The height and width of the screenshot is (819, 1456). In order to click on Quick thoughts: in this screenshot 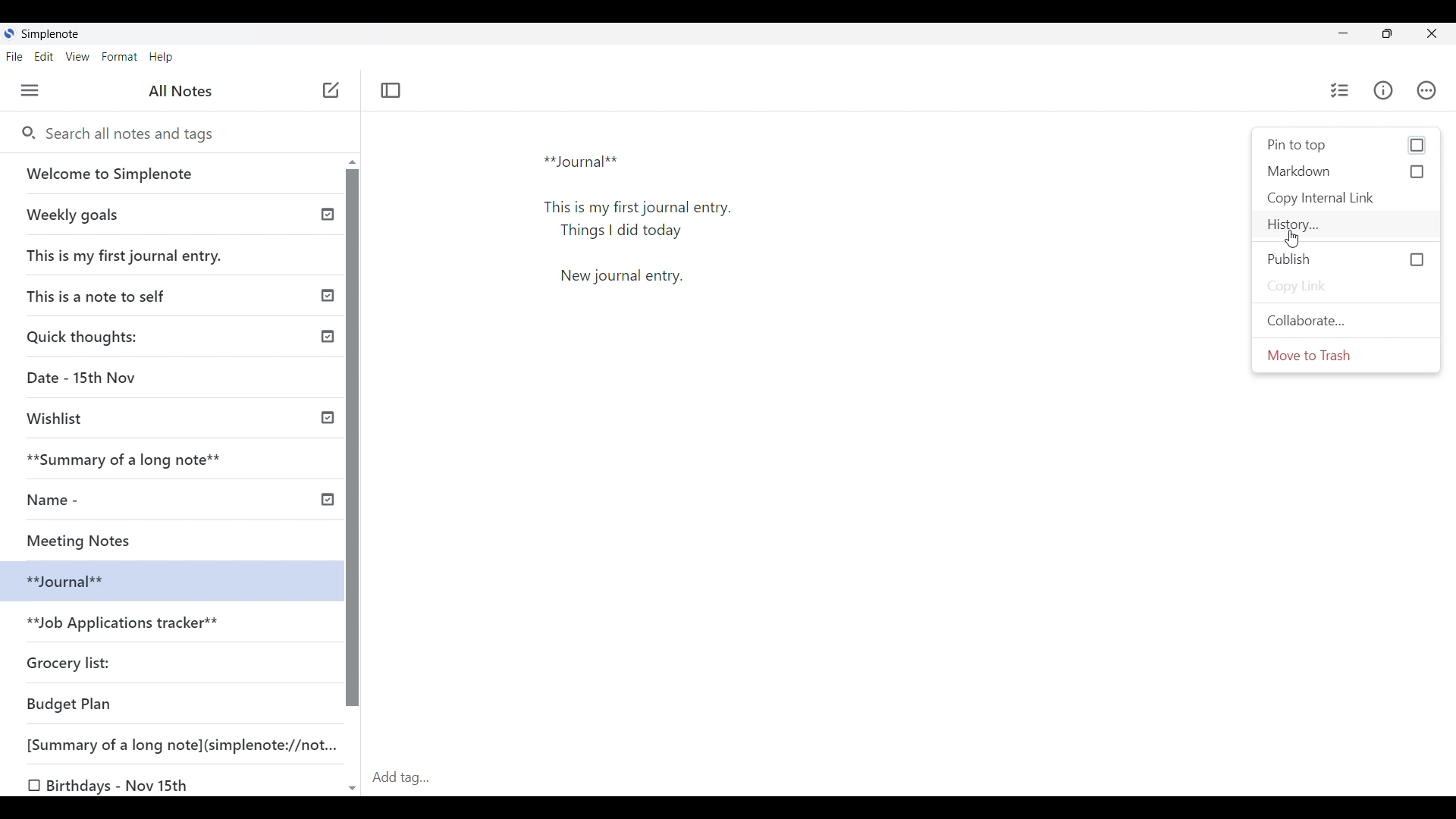, I will do `click(85, 336)`.